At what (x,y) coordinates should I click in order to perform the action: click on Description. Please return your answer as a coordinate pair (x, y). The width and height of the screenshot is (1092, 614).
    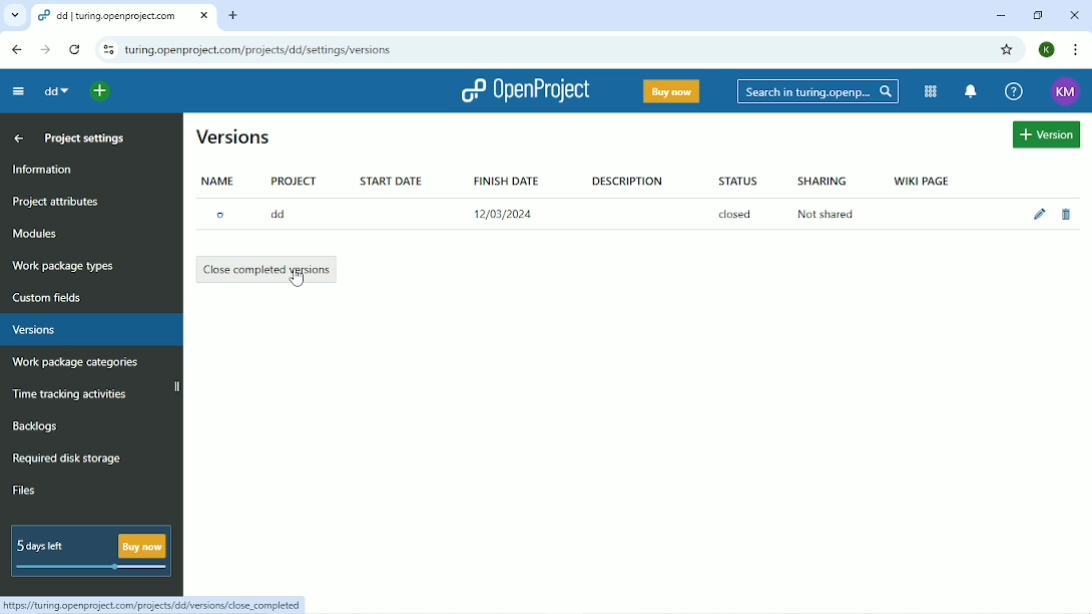
    Looking at the image, I should click on (629, 179).